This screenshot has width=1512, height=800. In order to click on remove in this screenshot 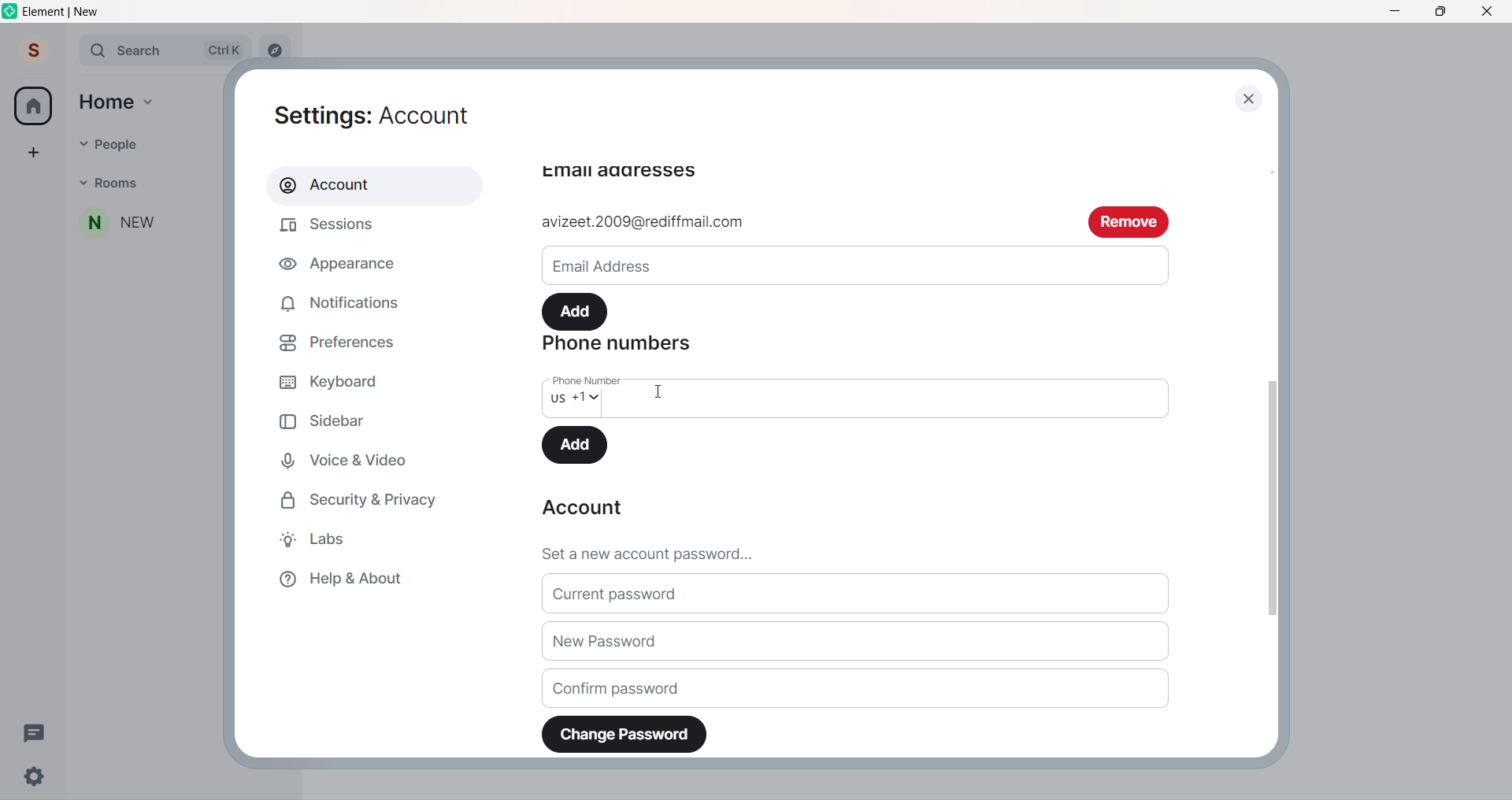, I will do `click(1129, 220)`.